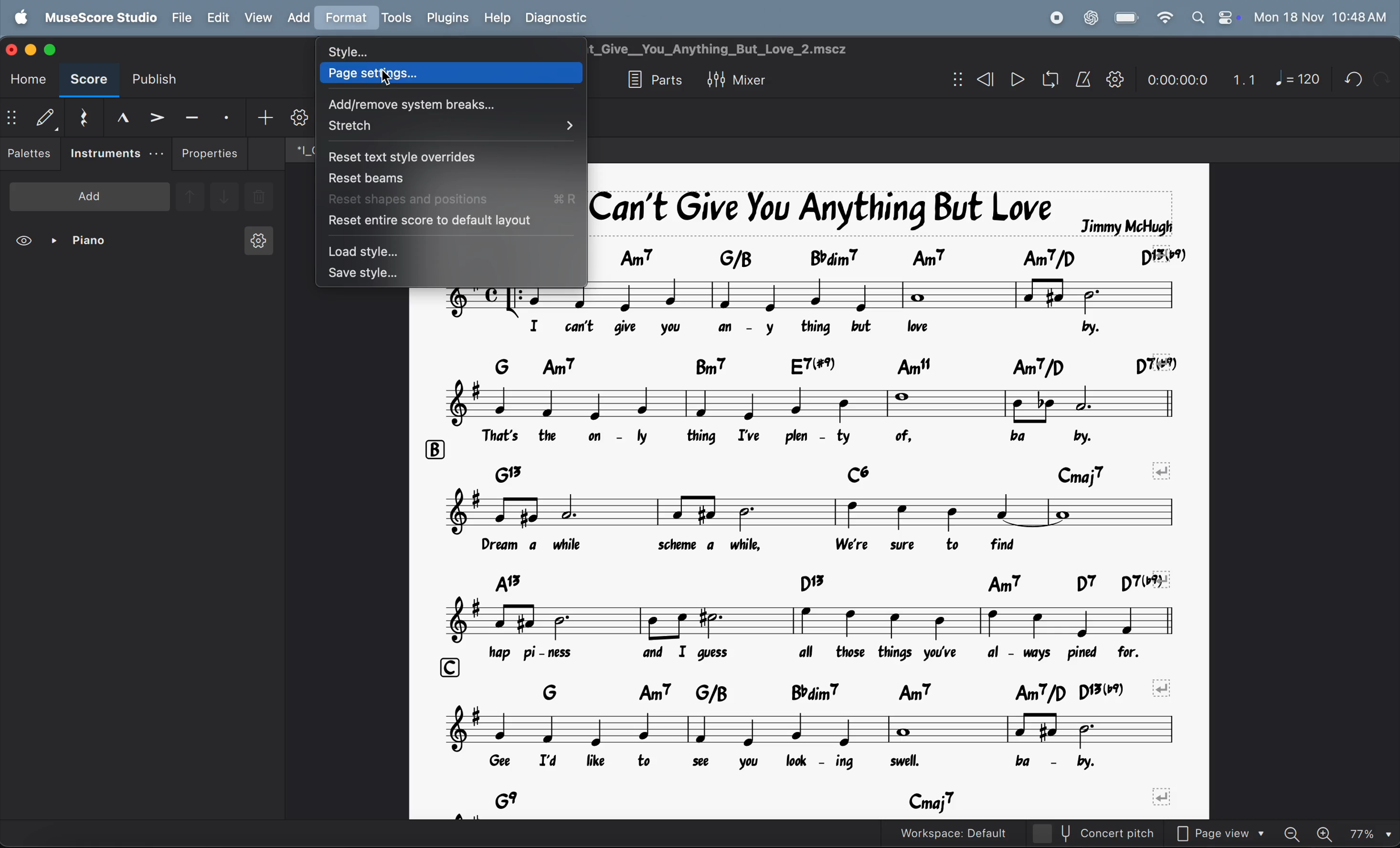 The width and height of the screenshot is (1400, 848). I want to click on Song title and author, so click(883, 211).